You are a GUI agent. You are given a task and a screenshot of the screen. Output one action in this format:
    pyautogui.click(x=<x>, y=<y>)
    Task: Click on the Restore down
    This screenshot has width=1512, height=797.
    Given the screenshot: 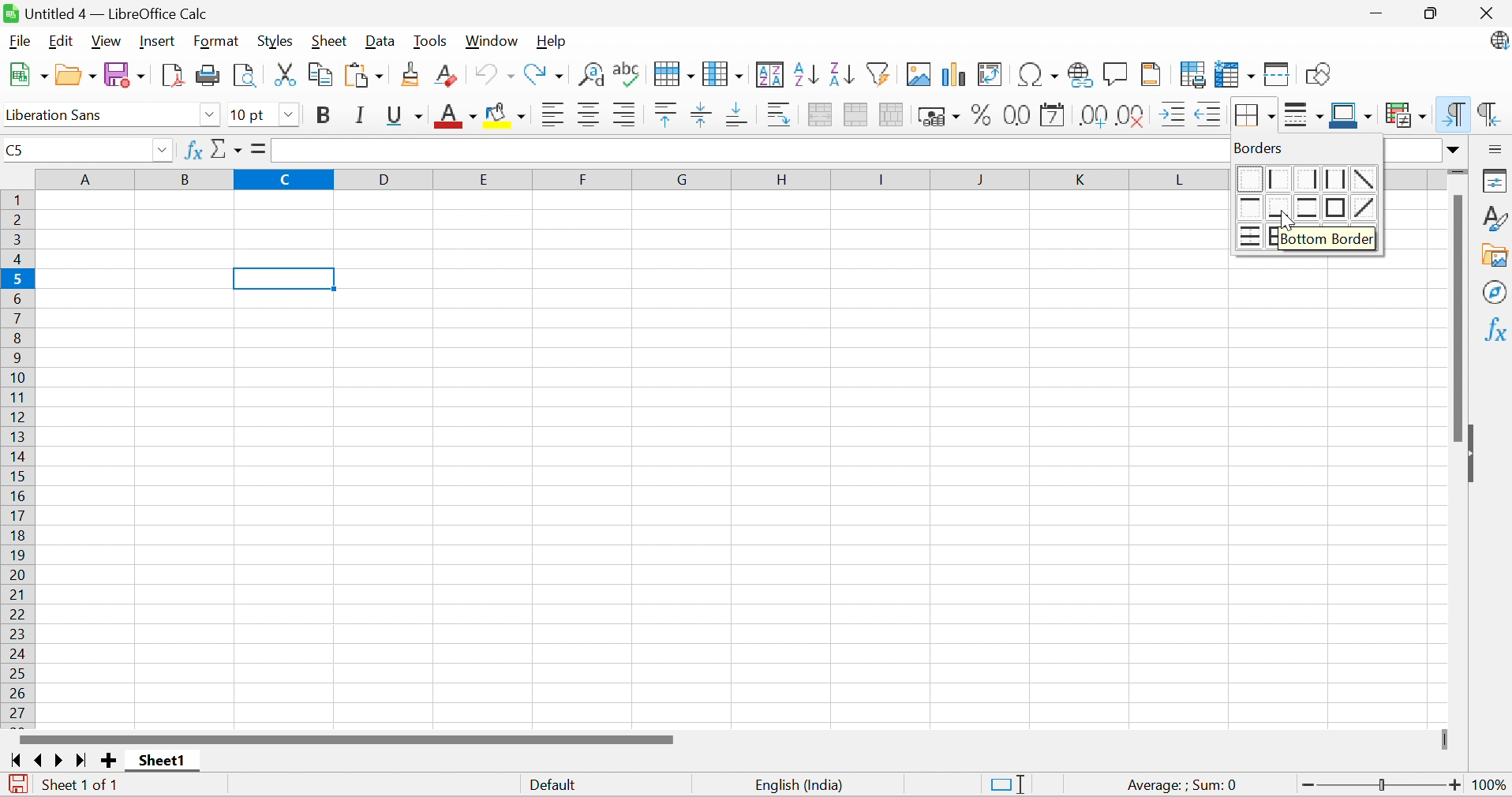 What is the action you would take?
    pyautogui.click(x=1435, y=15)
    